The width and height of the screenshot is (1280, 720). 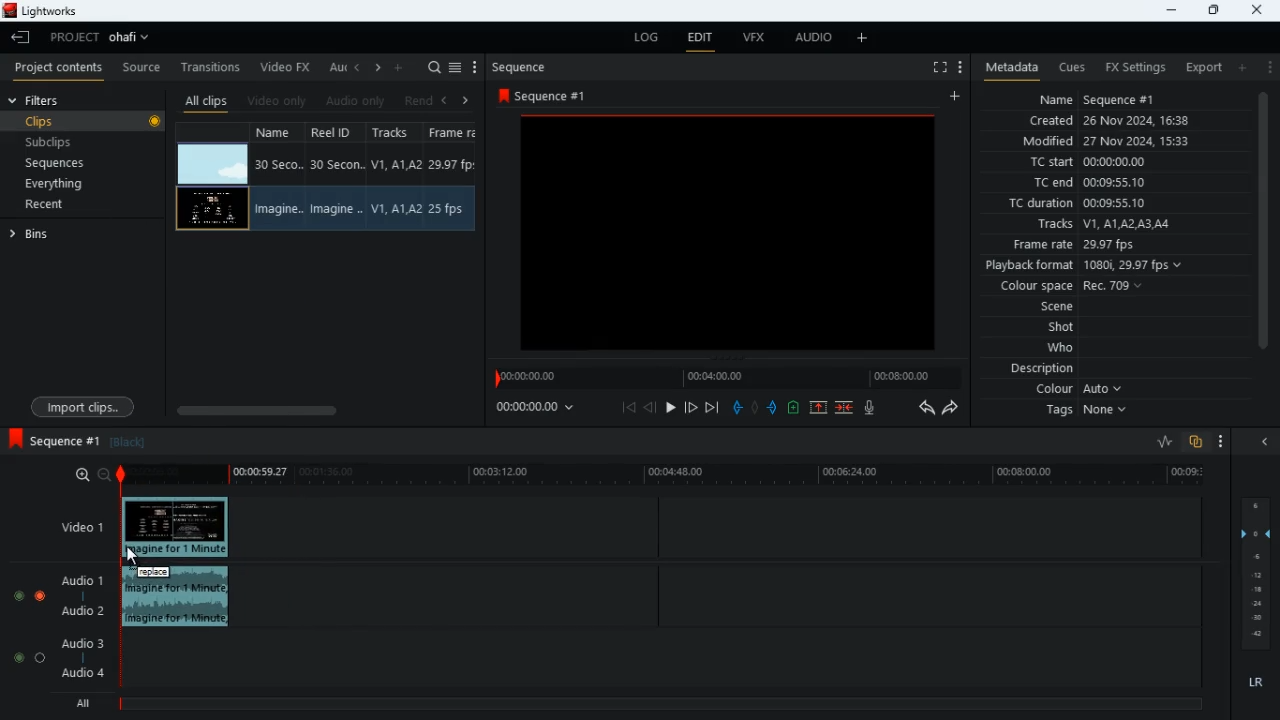 What do you see at coordinates (667, 477) in the screenshot?
I see `timeline` at bounding box center [667, 477].